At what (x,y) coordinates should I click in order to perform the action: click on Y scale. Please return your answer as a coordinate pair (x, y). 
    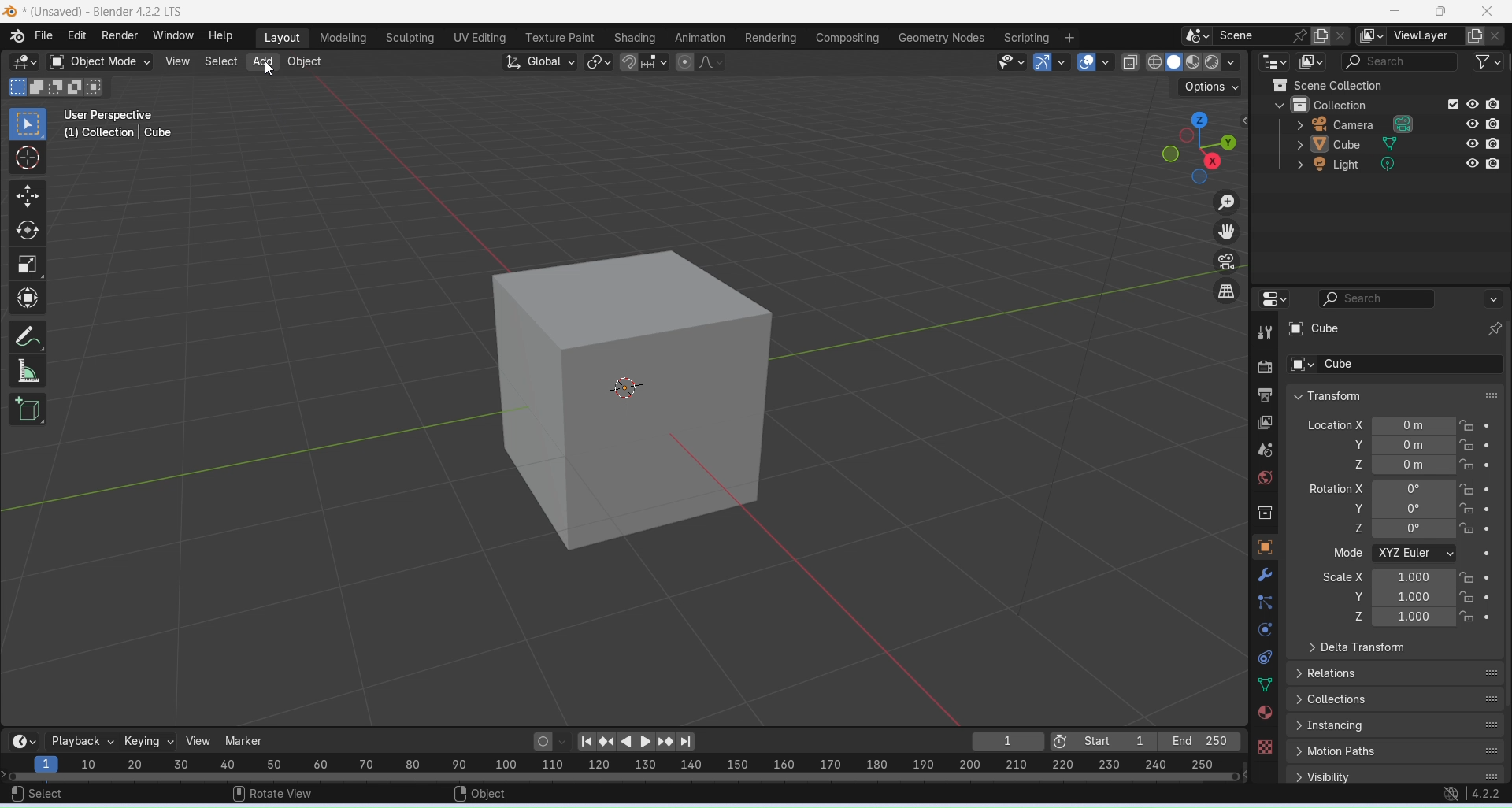
    Looking at the image, I should click on (1432, 597).